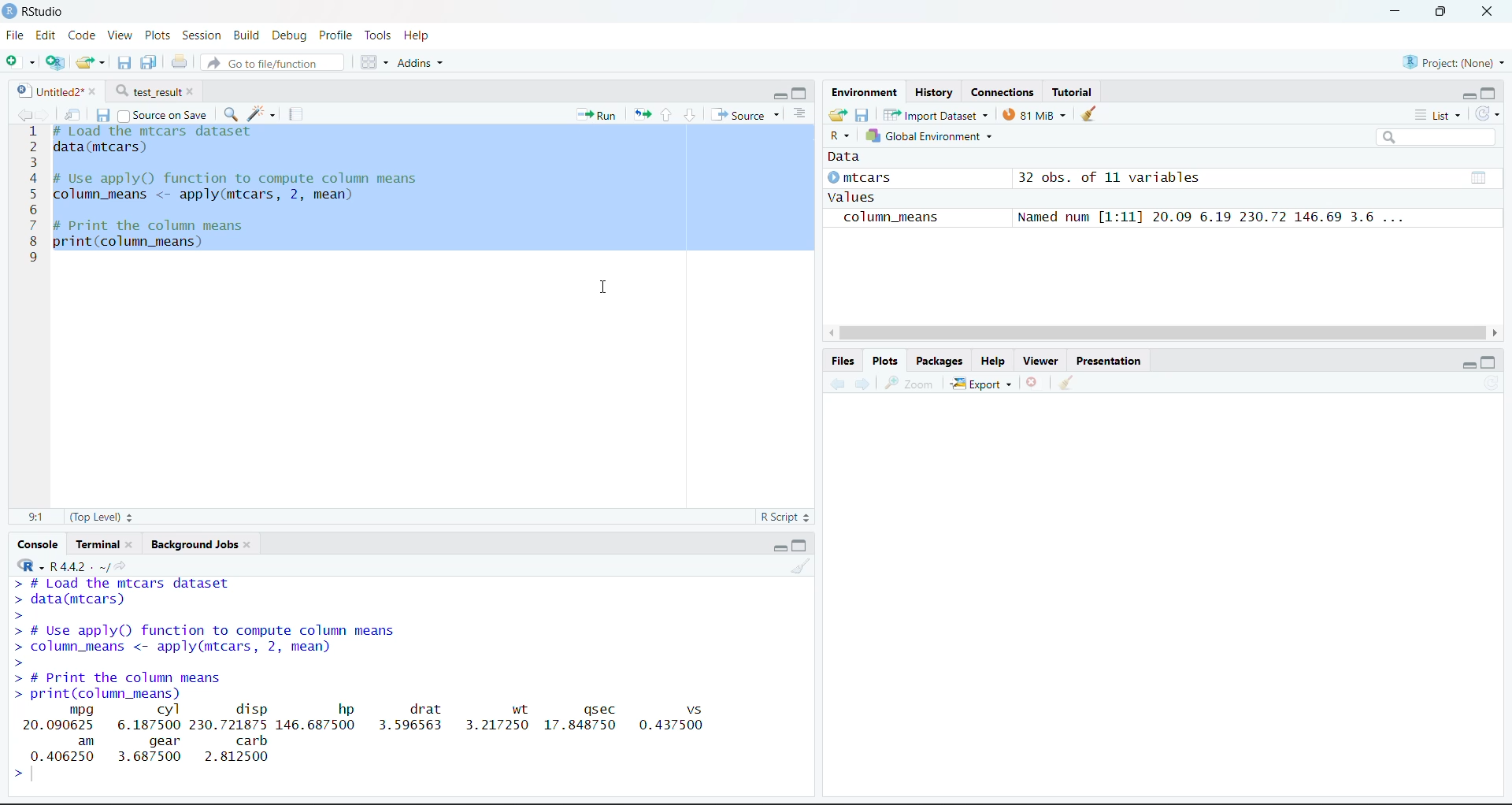 This screenshot has width=1512, height=805. What do you see at coordinates (1039, 357) in the screenshot?
I see `Viewer` at bounding box center [1039, 357].